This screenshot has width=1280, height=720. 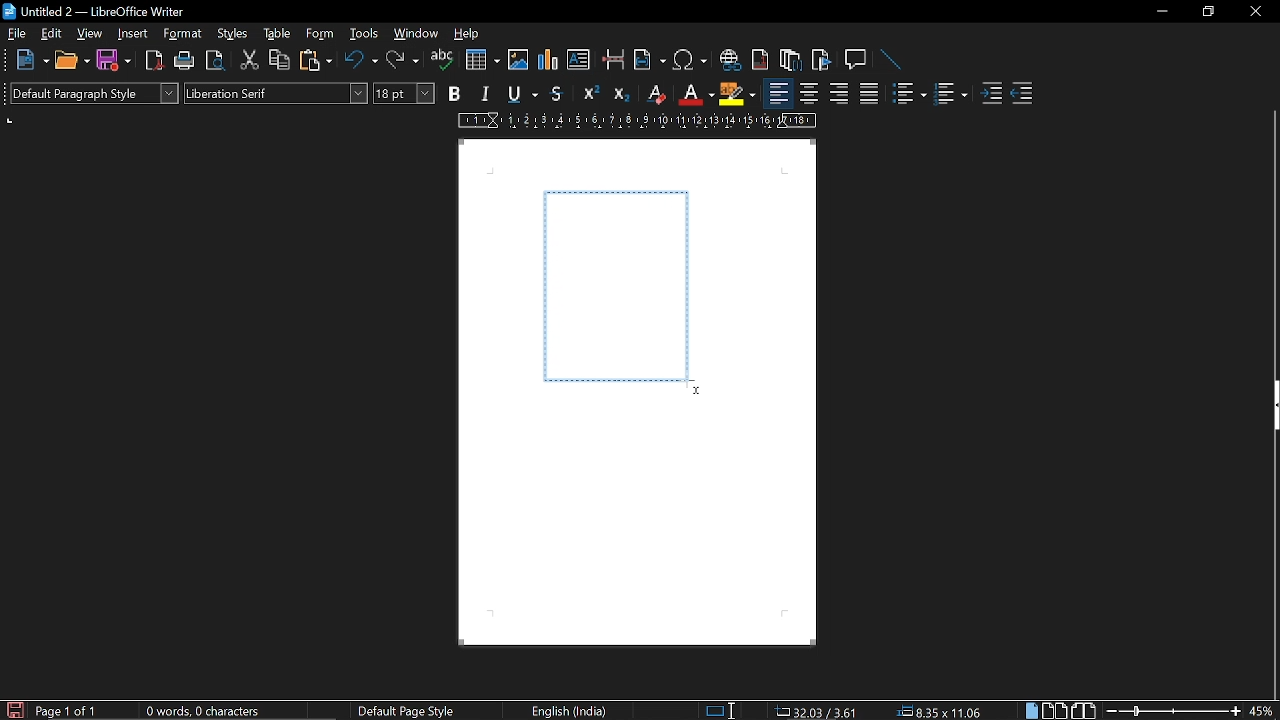 I want to click on Untitled 2 - LibreOffice Writer, so click(x=100, y=13).